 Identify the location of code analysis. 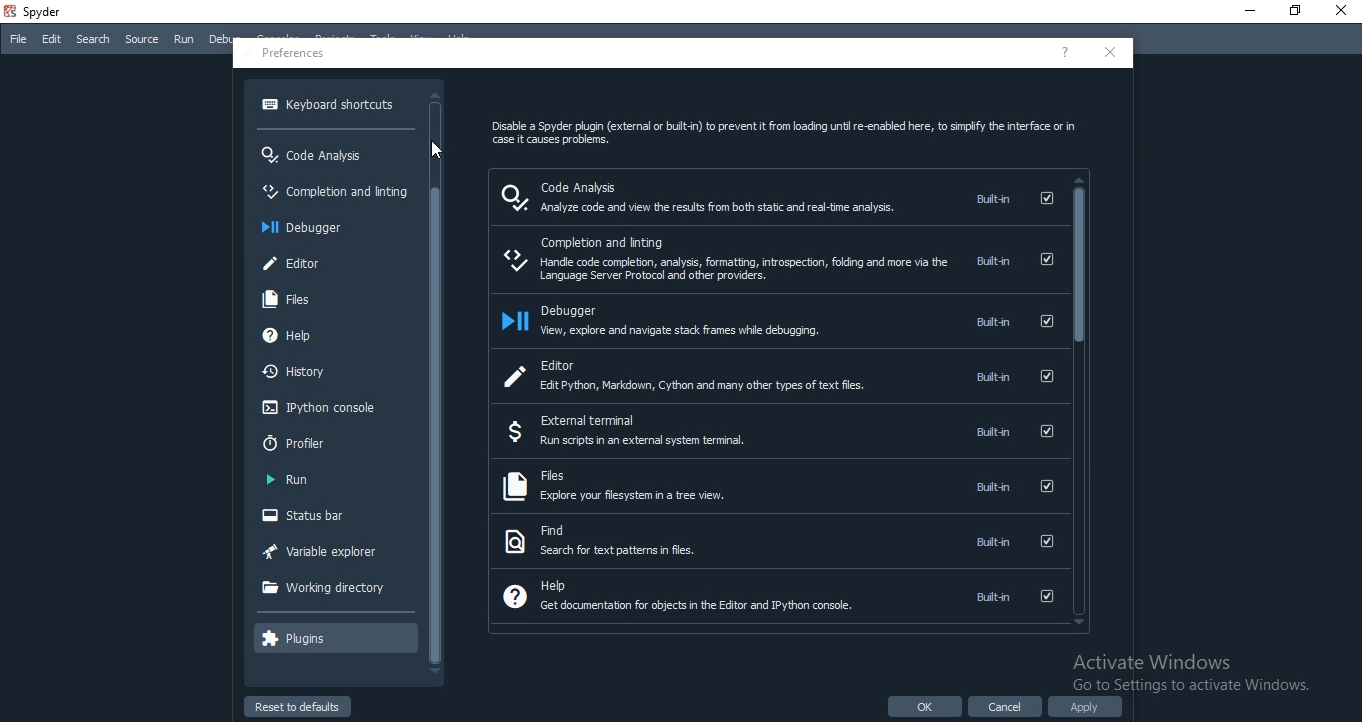
(774, 196).